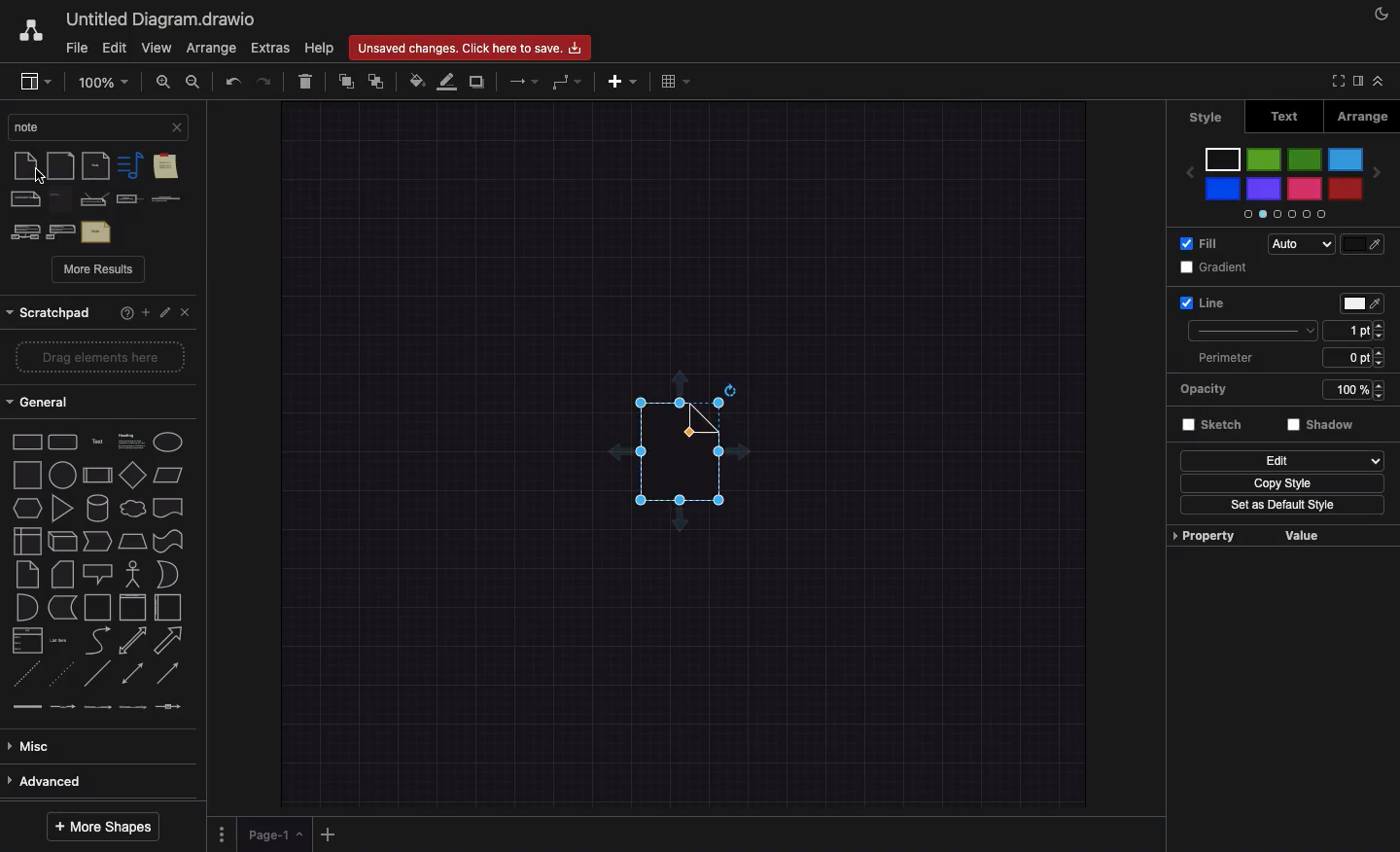 The height and width of the screenshot is (852, 1400). What do you see at coordinates (77, 49) in the screenshot?
I see `File` at bounding box center [77, 49].